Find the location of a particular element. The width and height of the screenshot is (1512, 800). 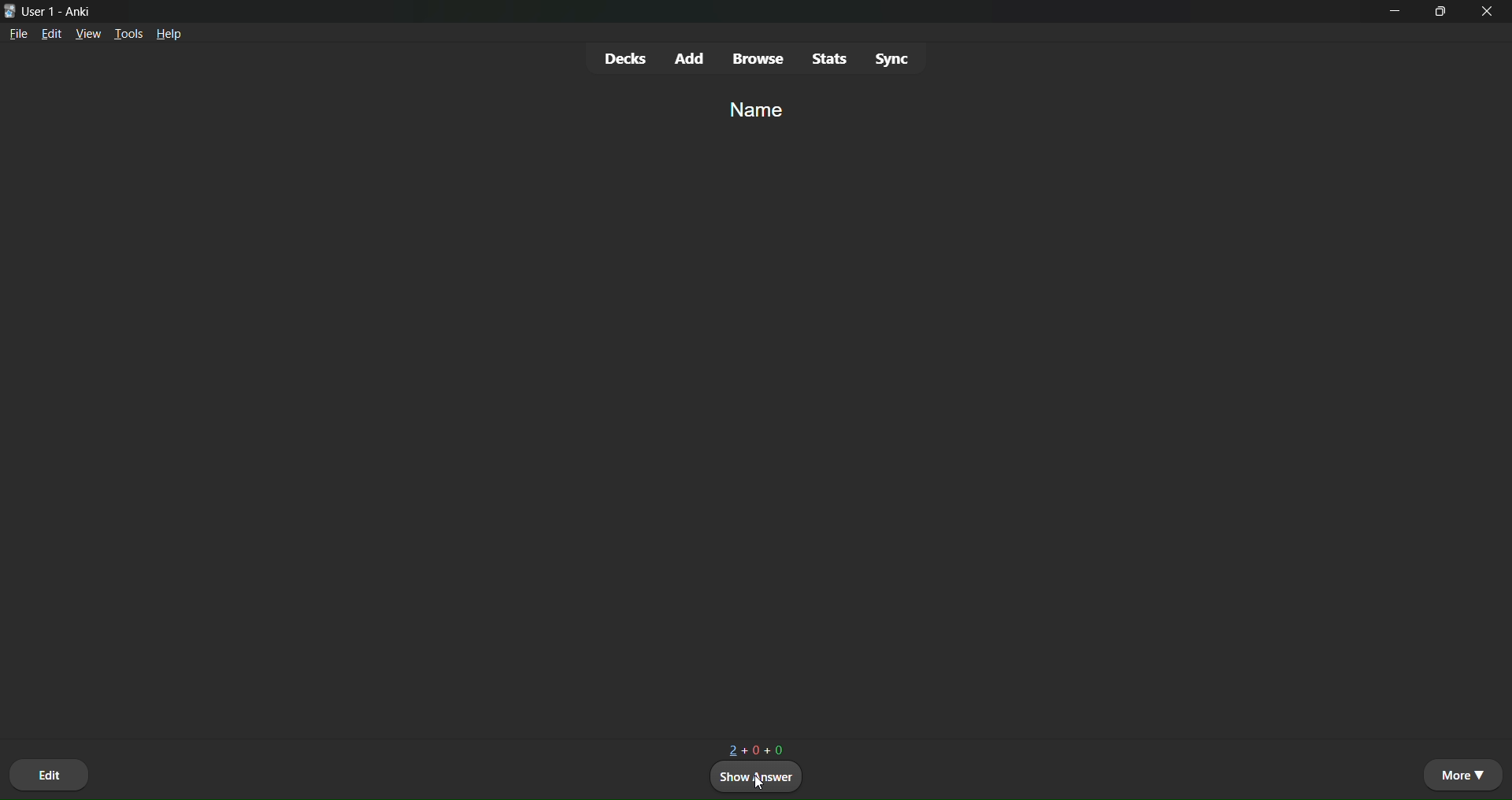

Sync is located at coordinates (895, 59).